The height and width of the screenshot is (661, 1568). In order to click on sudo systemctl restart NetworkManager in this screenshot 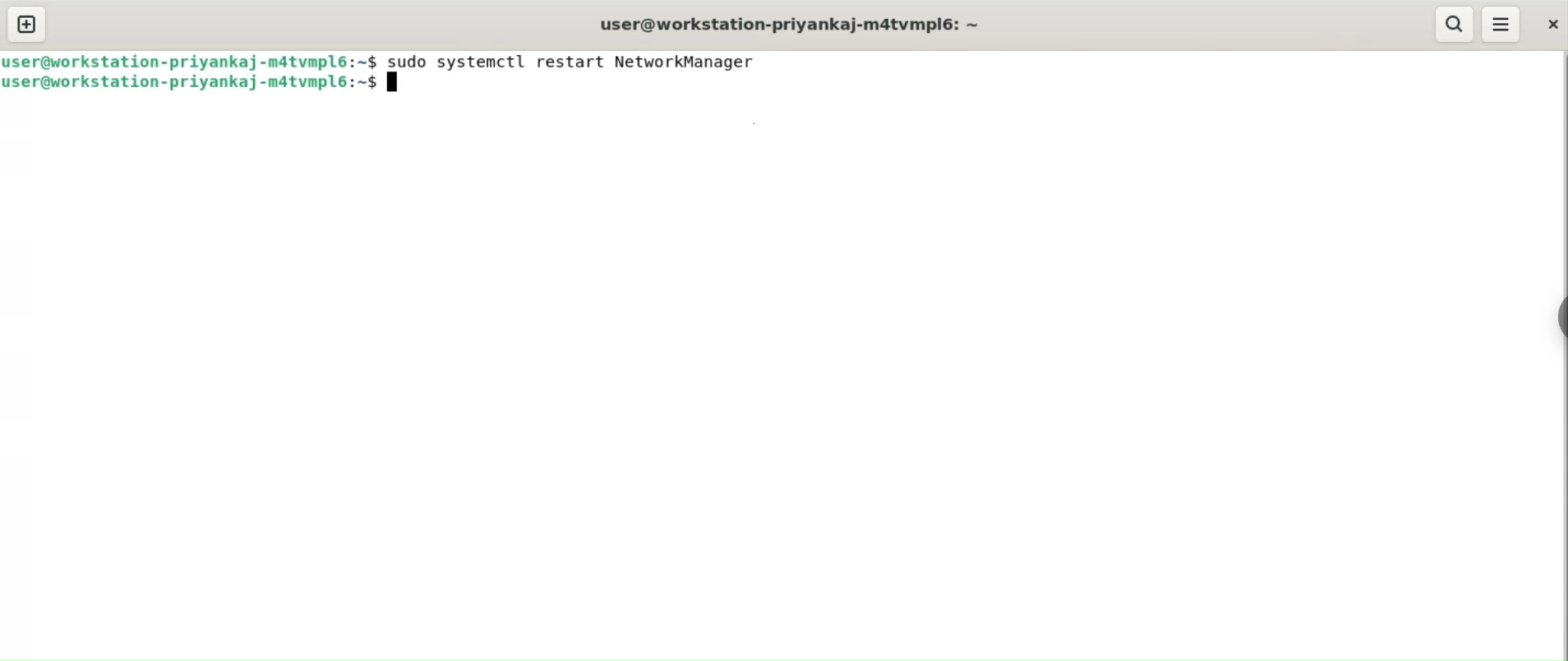, I will do `click(578, 62)`.